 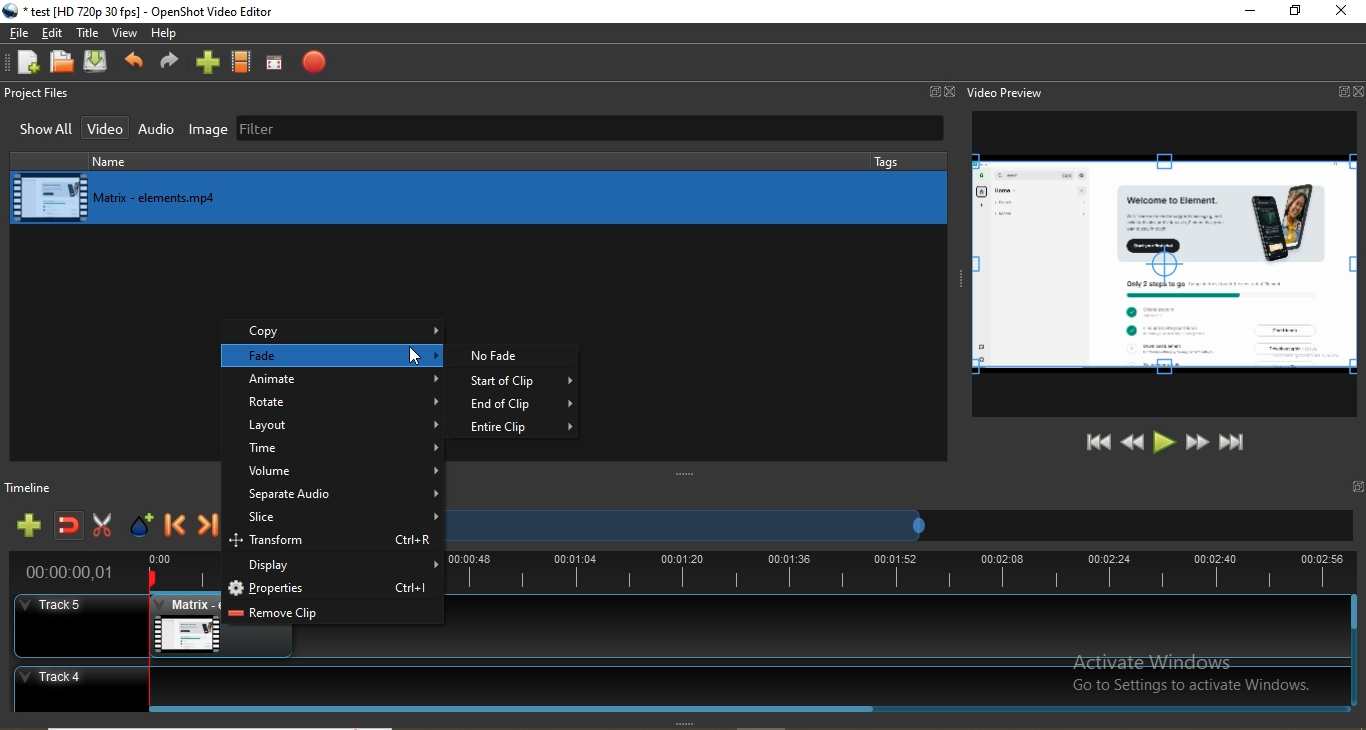 I want to click on Disable snapping, so click(x=70, y=528).